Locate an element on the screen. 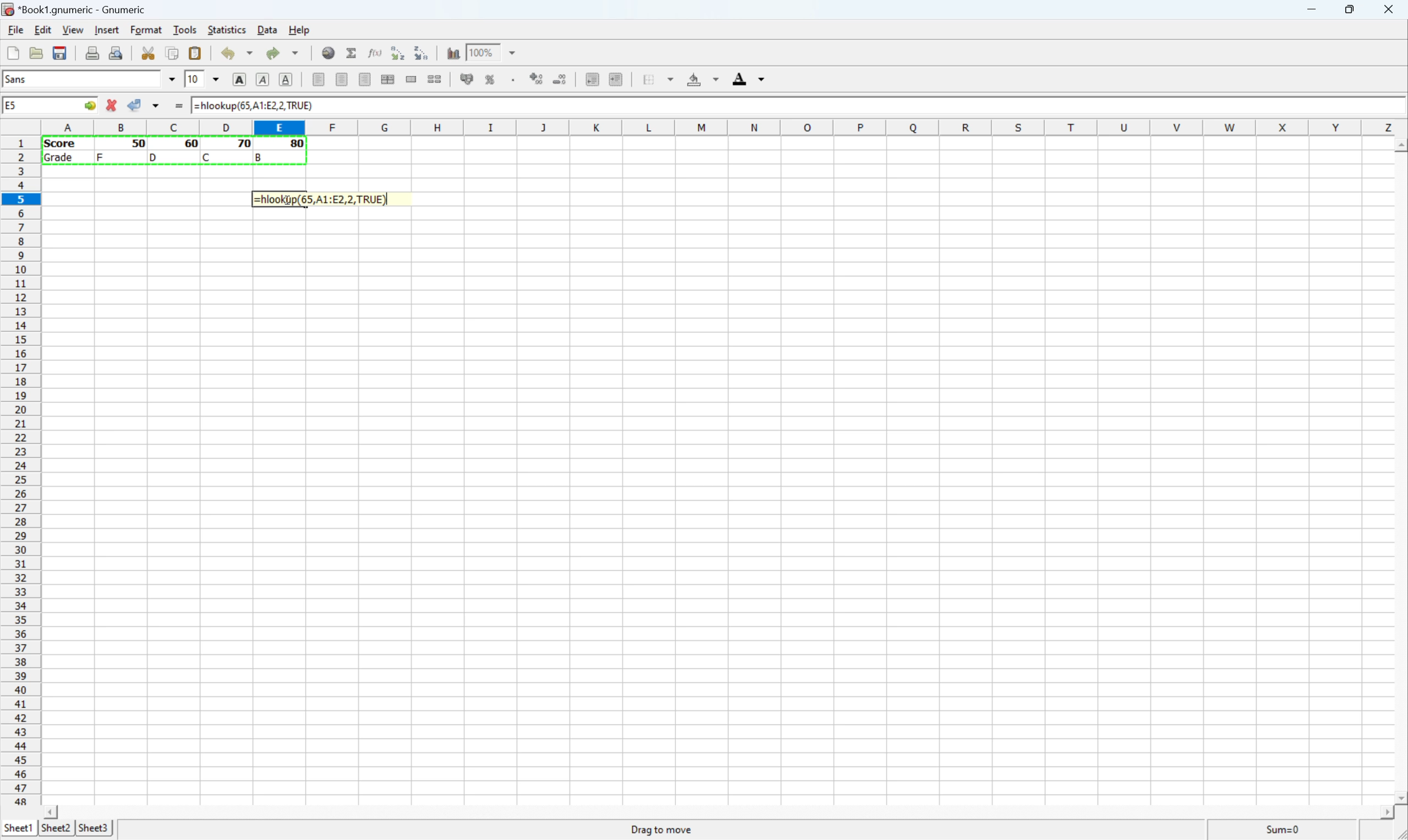 This screenshot has width=1408, height=840. Center horizontally across the selection is located at coordinates (389, 79).